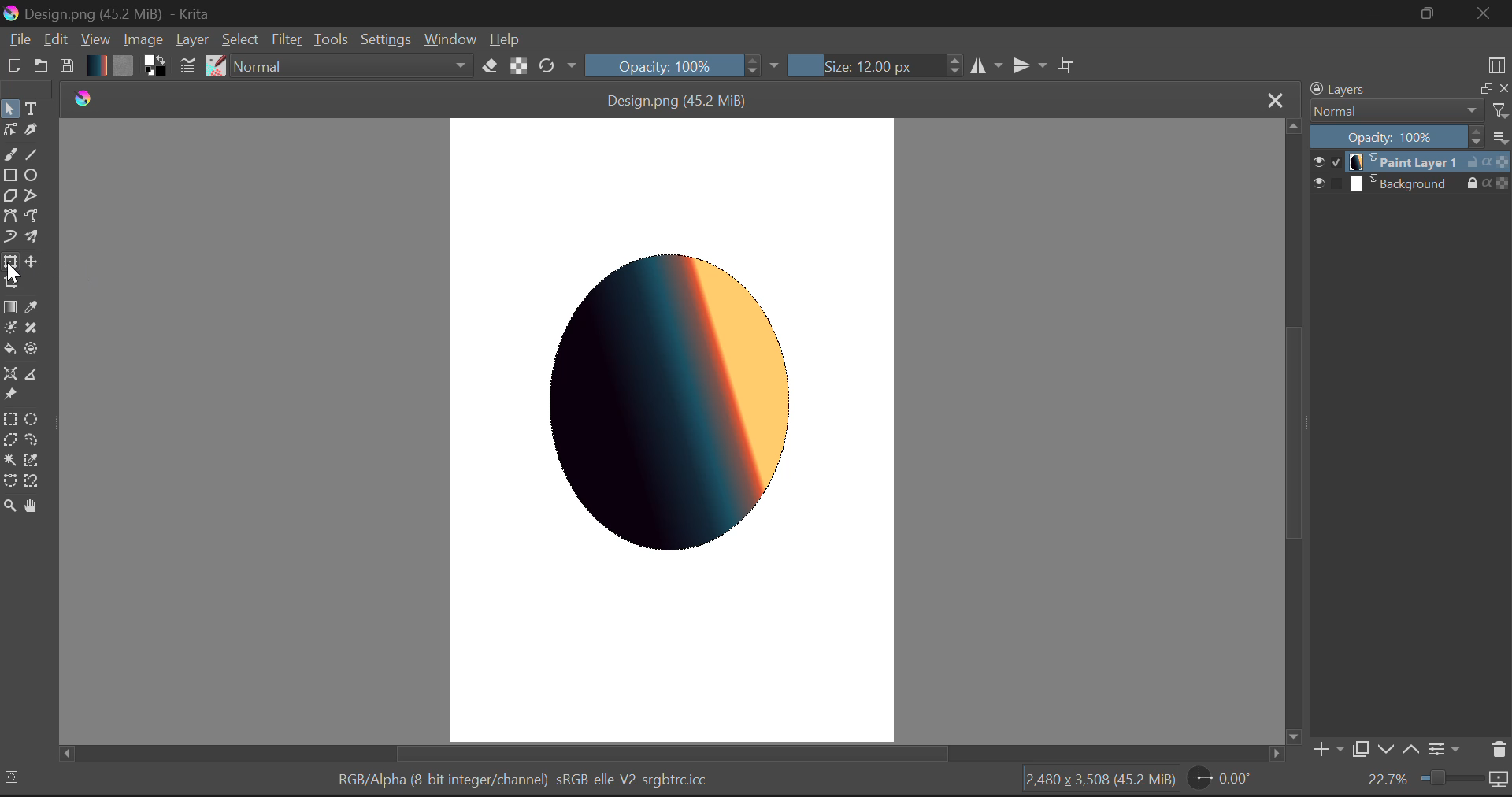  What do you see at coordinates (559, 67) in the screenshot?
I see `Rotate` at bounding box center [559, 67].